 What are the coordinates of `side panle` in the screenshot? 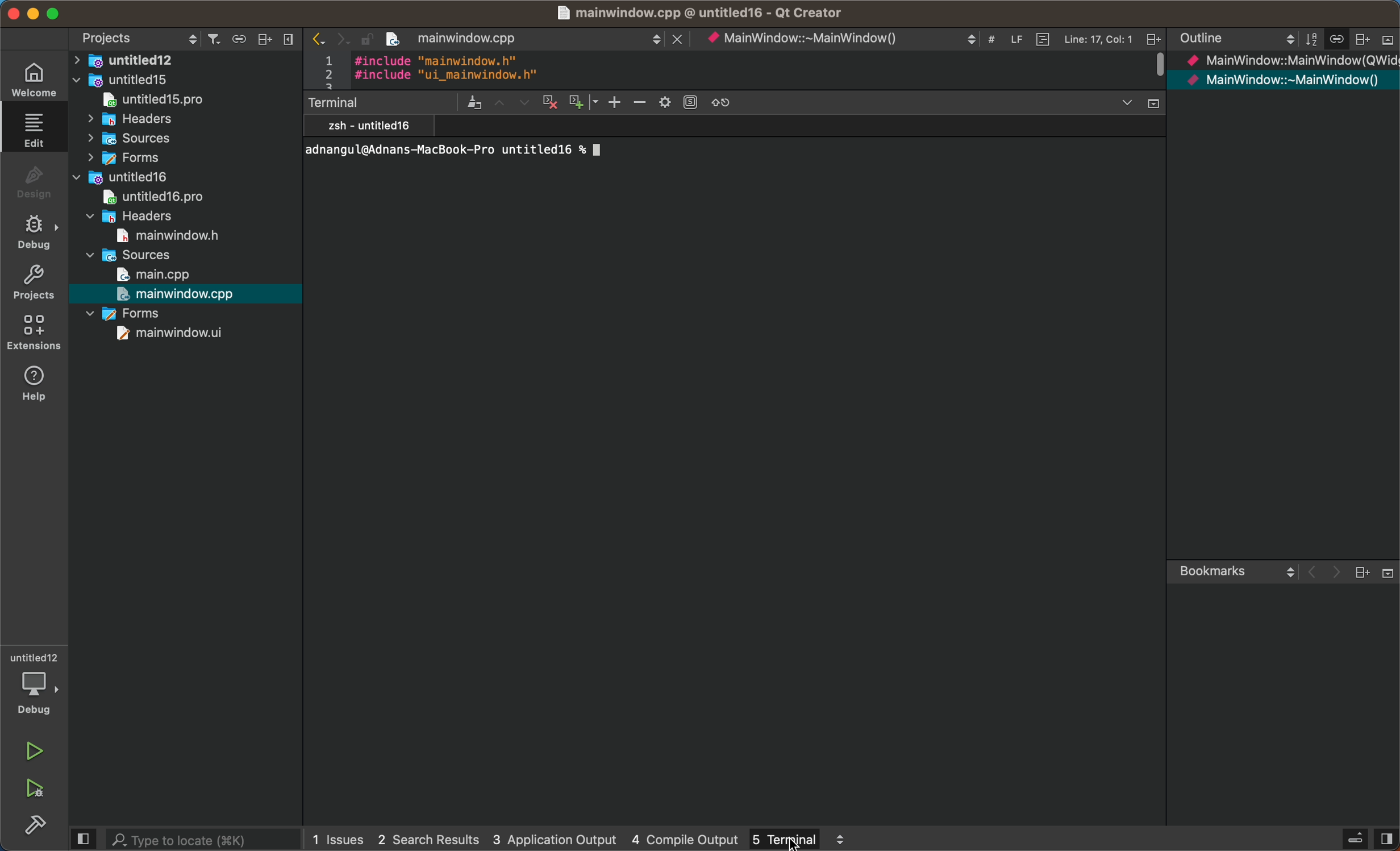 It's located at (1387, 838).